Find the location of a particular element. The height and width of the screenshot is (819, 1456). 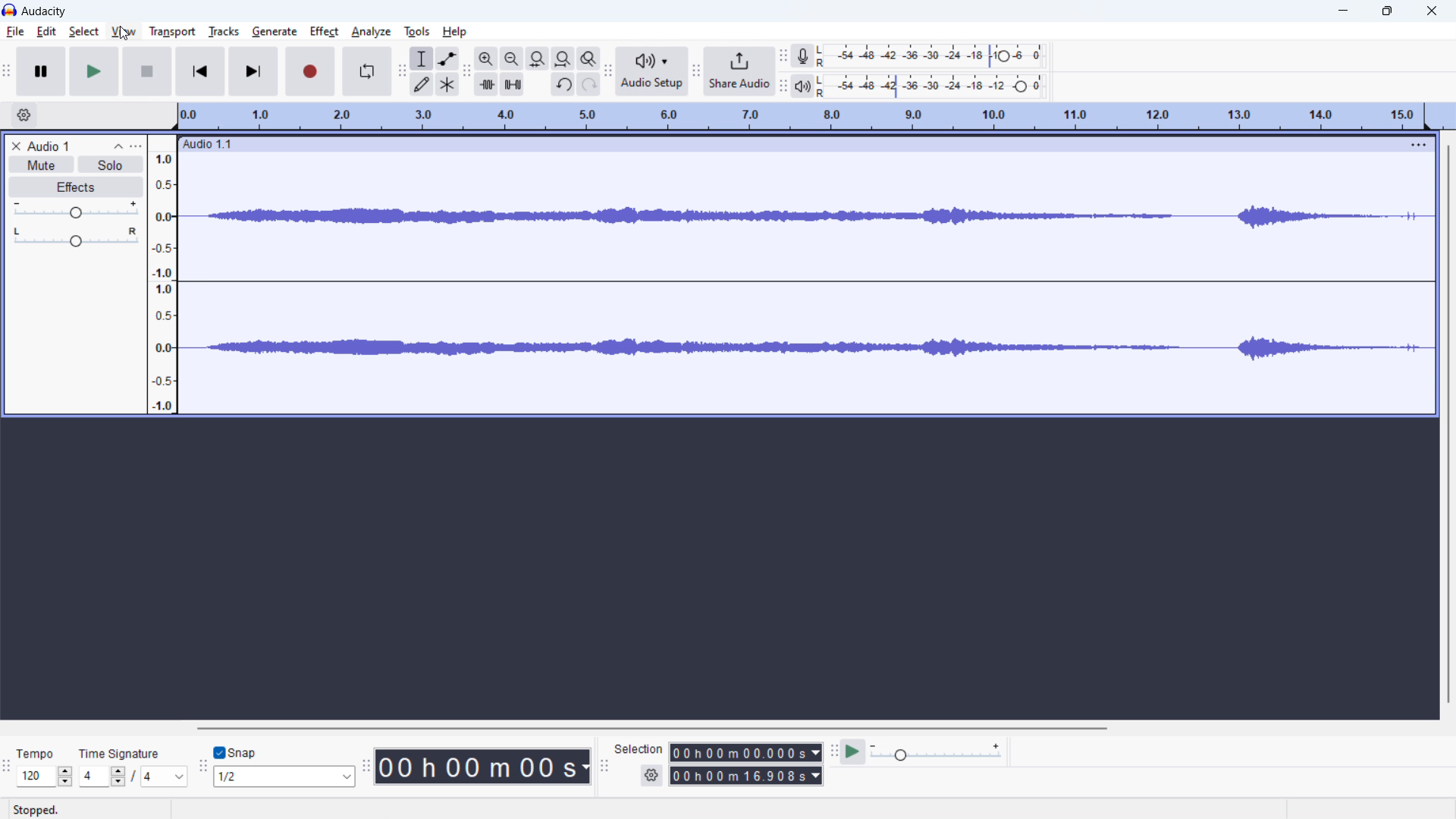

mute is located at coordinates (42, 165).